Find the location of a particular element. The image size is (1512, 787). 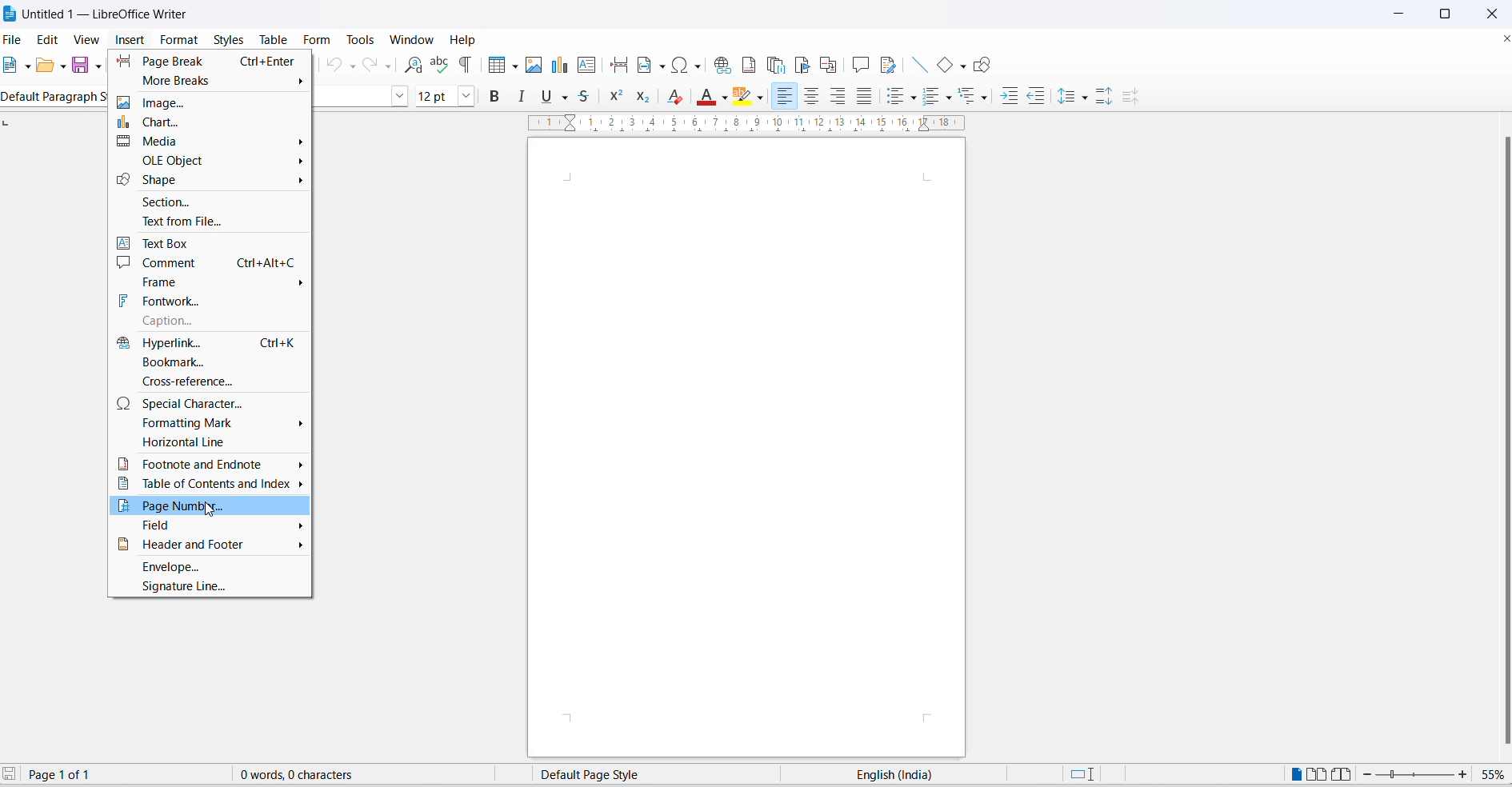

book view is located at coordinates (1346, 775).